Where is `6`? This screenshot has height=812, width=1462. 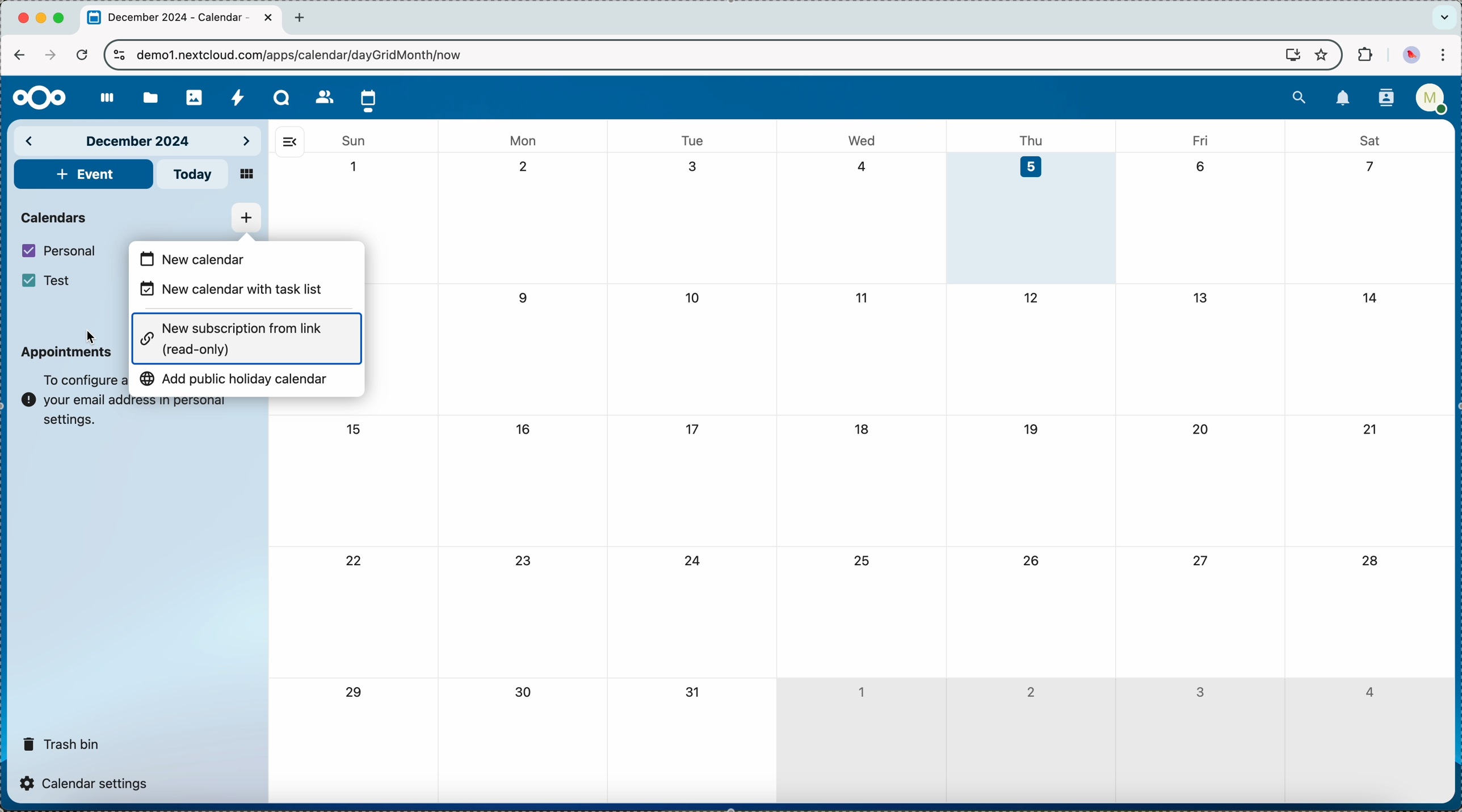
6 is located at coordinates (1200, 165).